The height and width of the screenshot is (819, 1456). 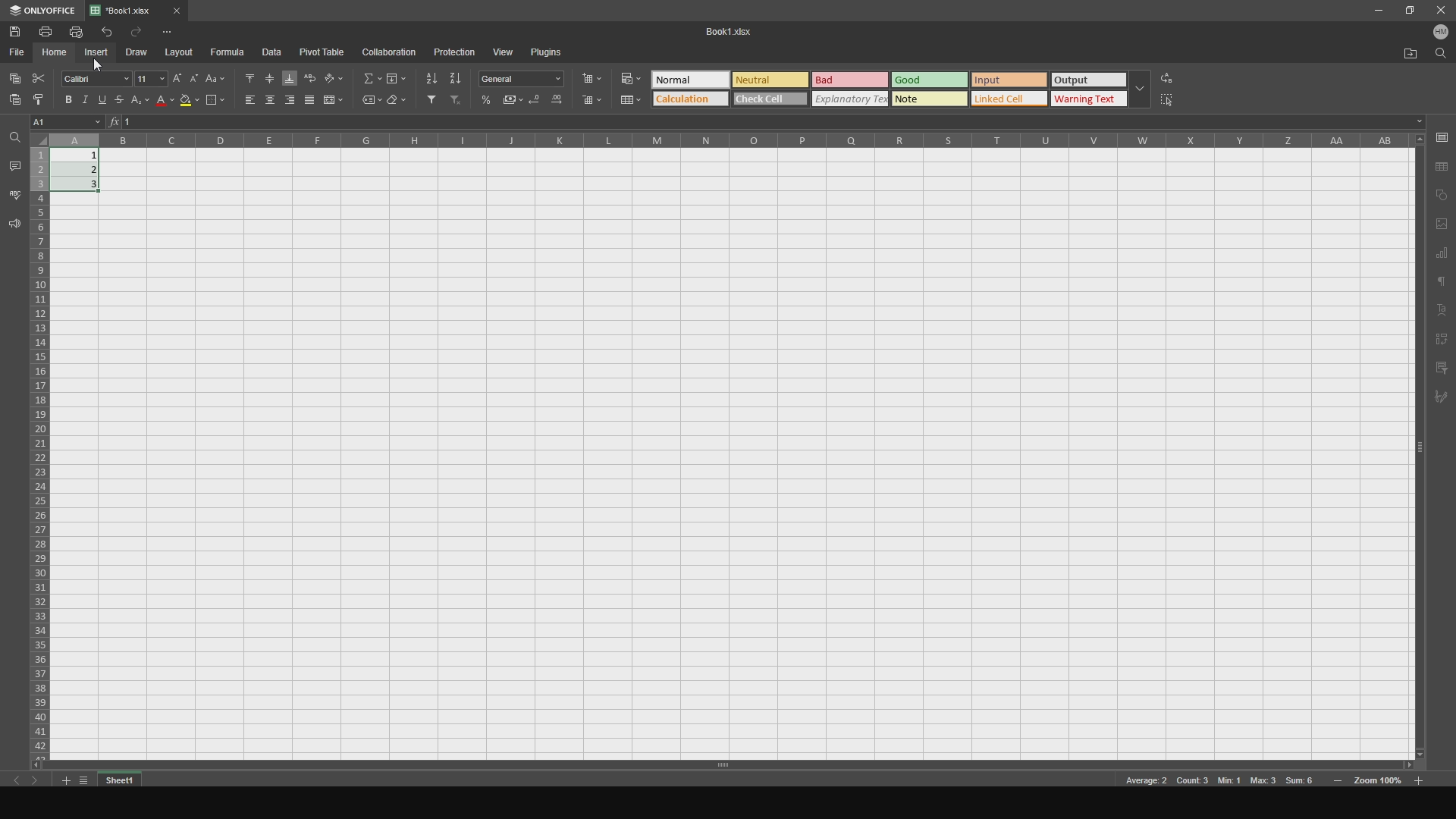 What do you see at coordinates (525, 79) in the screenshot?
I see `` at bounding box center [525, 79].